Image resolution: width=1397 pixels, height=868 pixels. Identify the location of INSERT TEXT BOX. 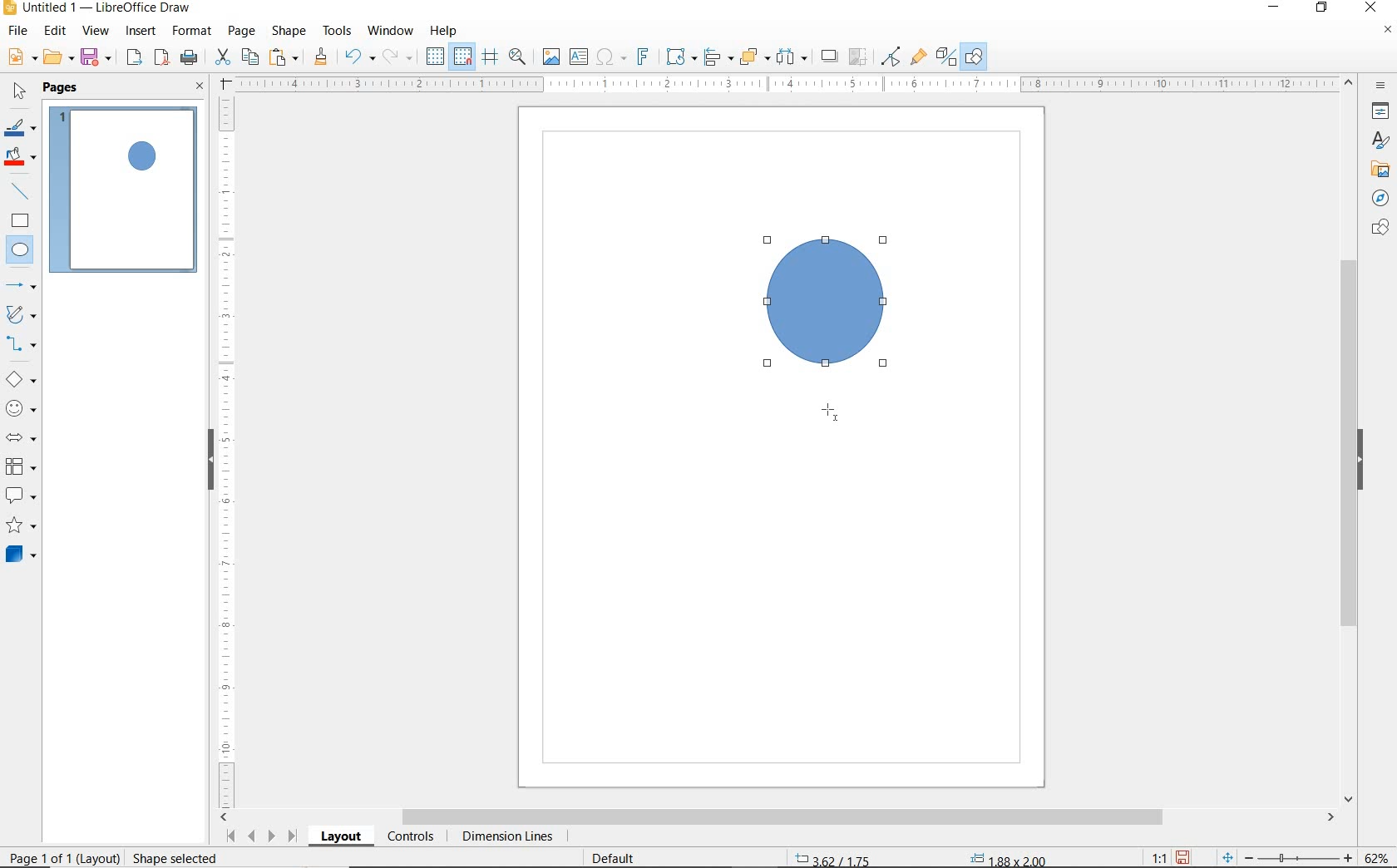
(580, 57).